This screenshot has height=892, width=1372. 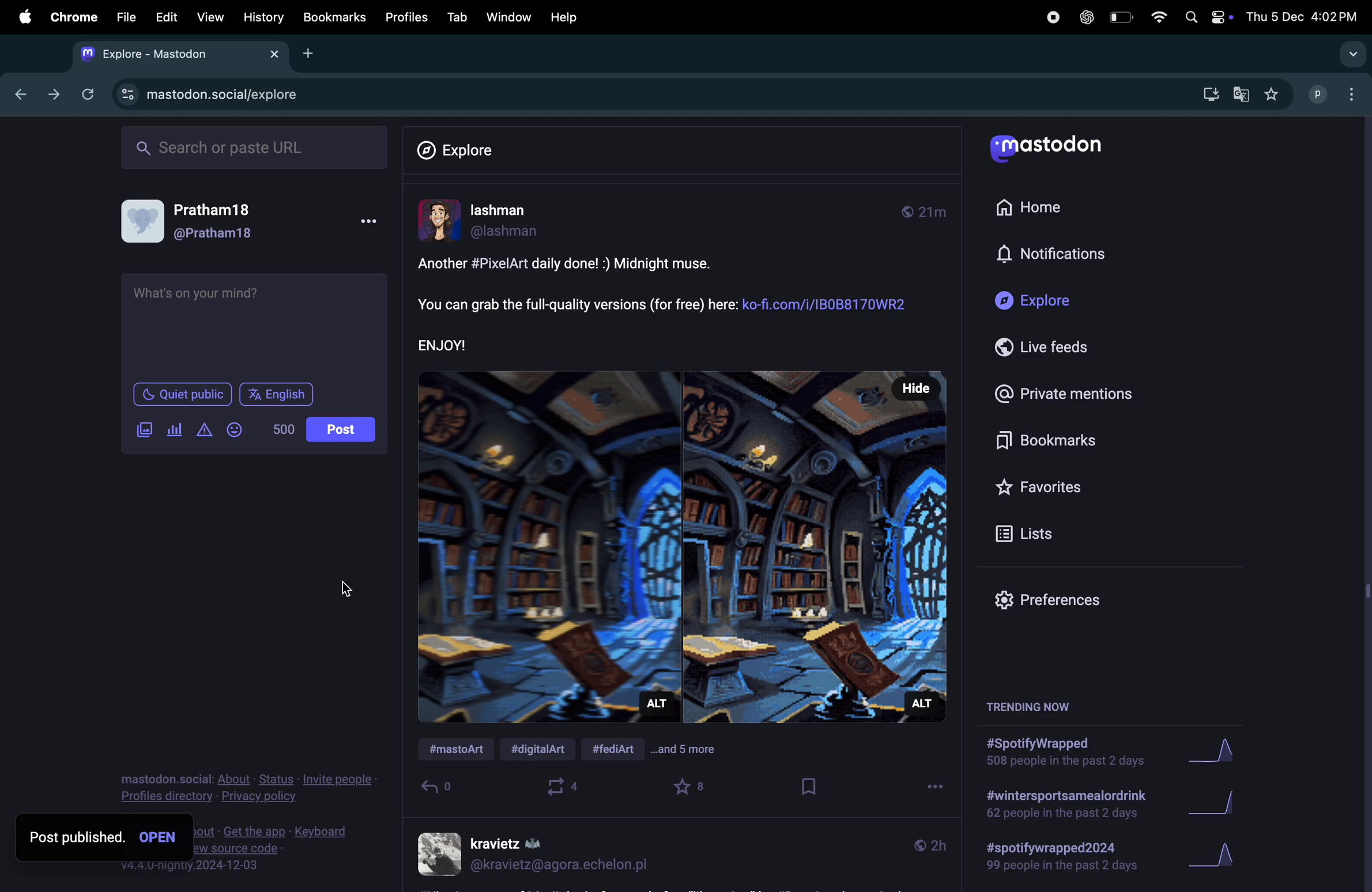 I want to click on Graph, so click(x=1220, y=806).